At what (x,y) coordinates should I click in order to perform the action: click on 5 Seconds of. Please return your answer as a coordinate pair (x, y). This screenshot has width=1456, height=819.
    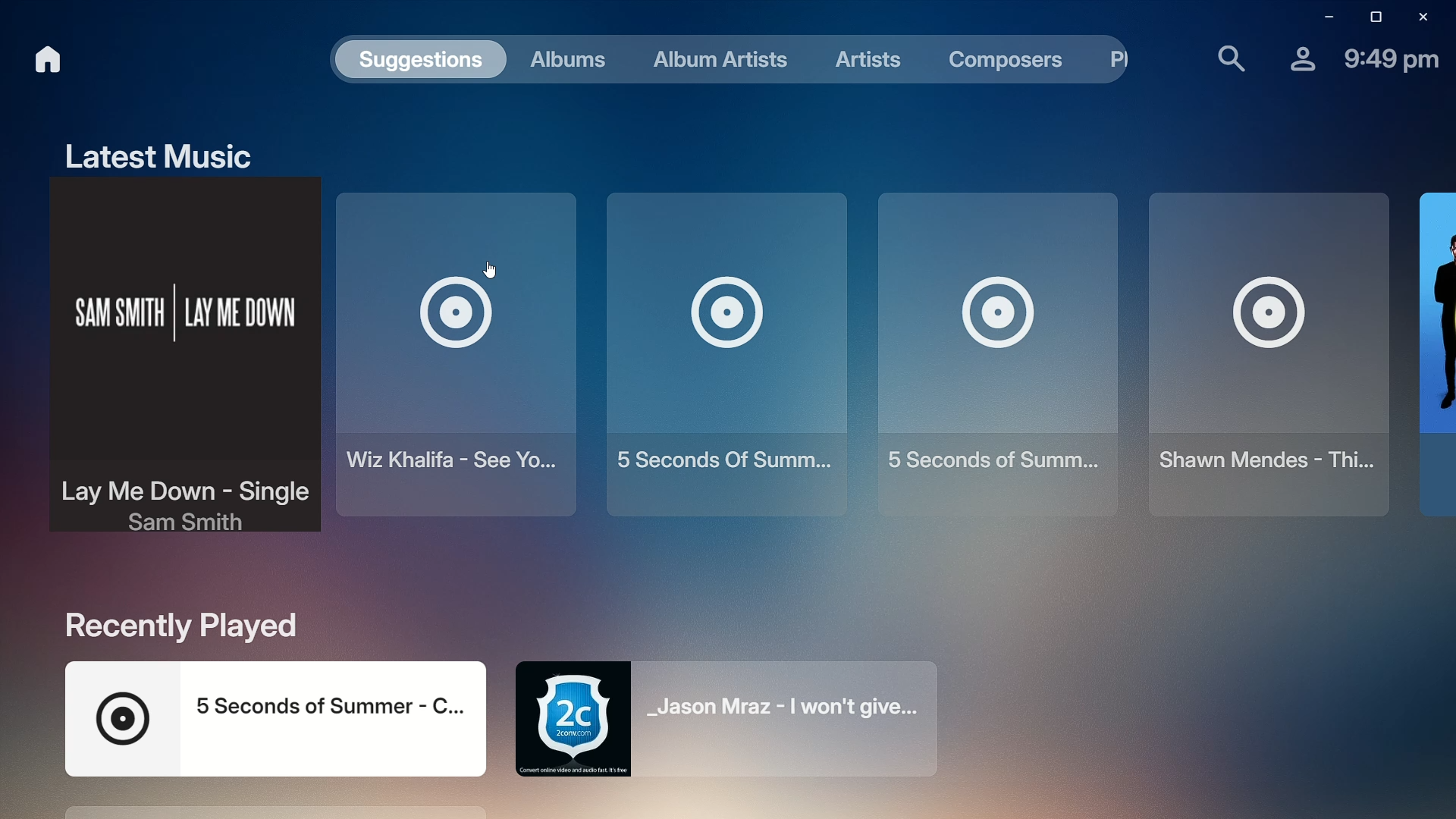
    Looking at the image, I should click on (989, 350).